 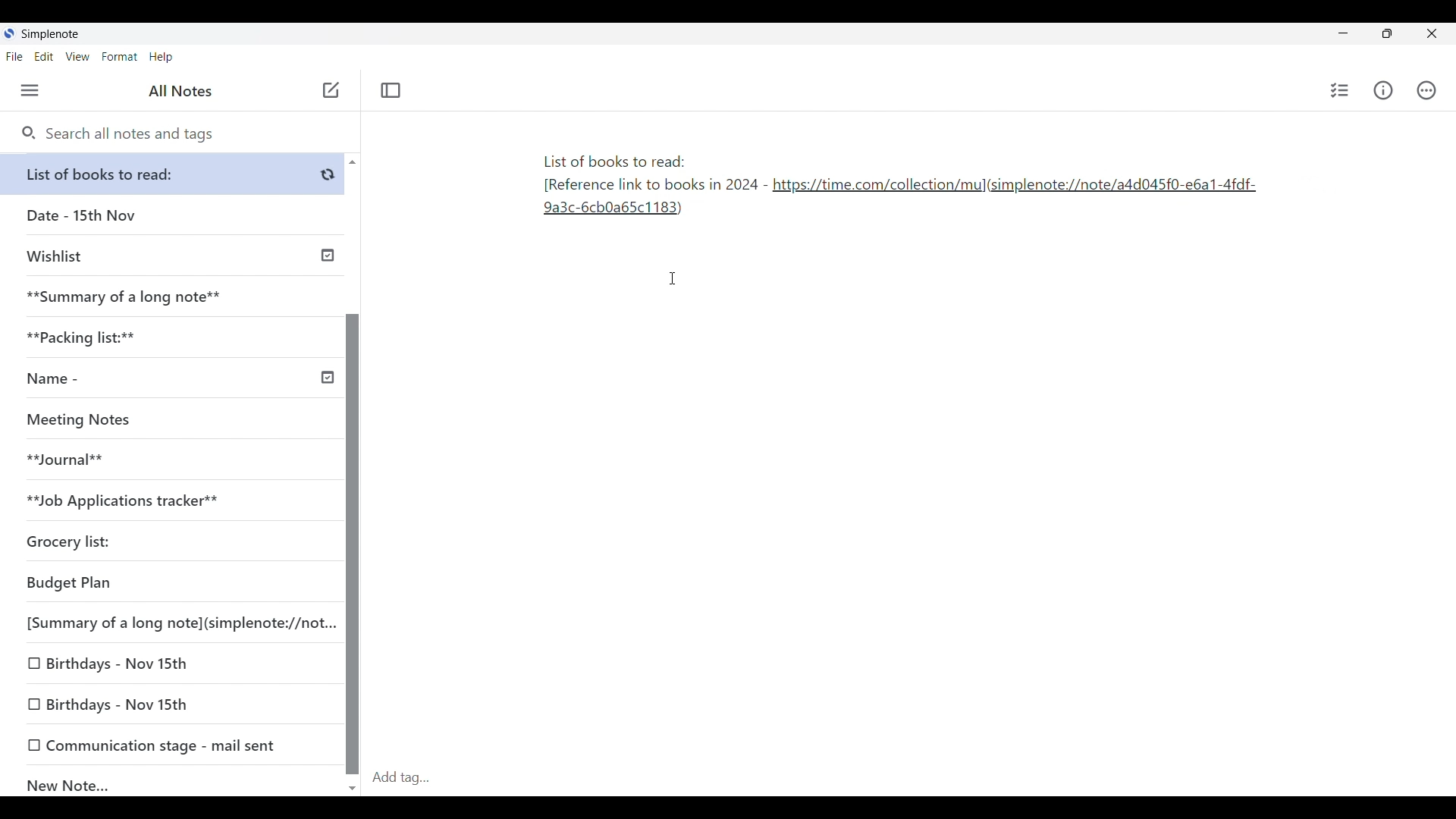 What do you see at coordinates (170, 584) in the screenshot?
I see `Budget Plan` at bounding box center [170, 584].